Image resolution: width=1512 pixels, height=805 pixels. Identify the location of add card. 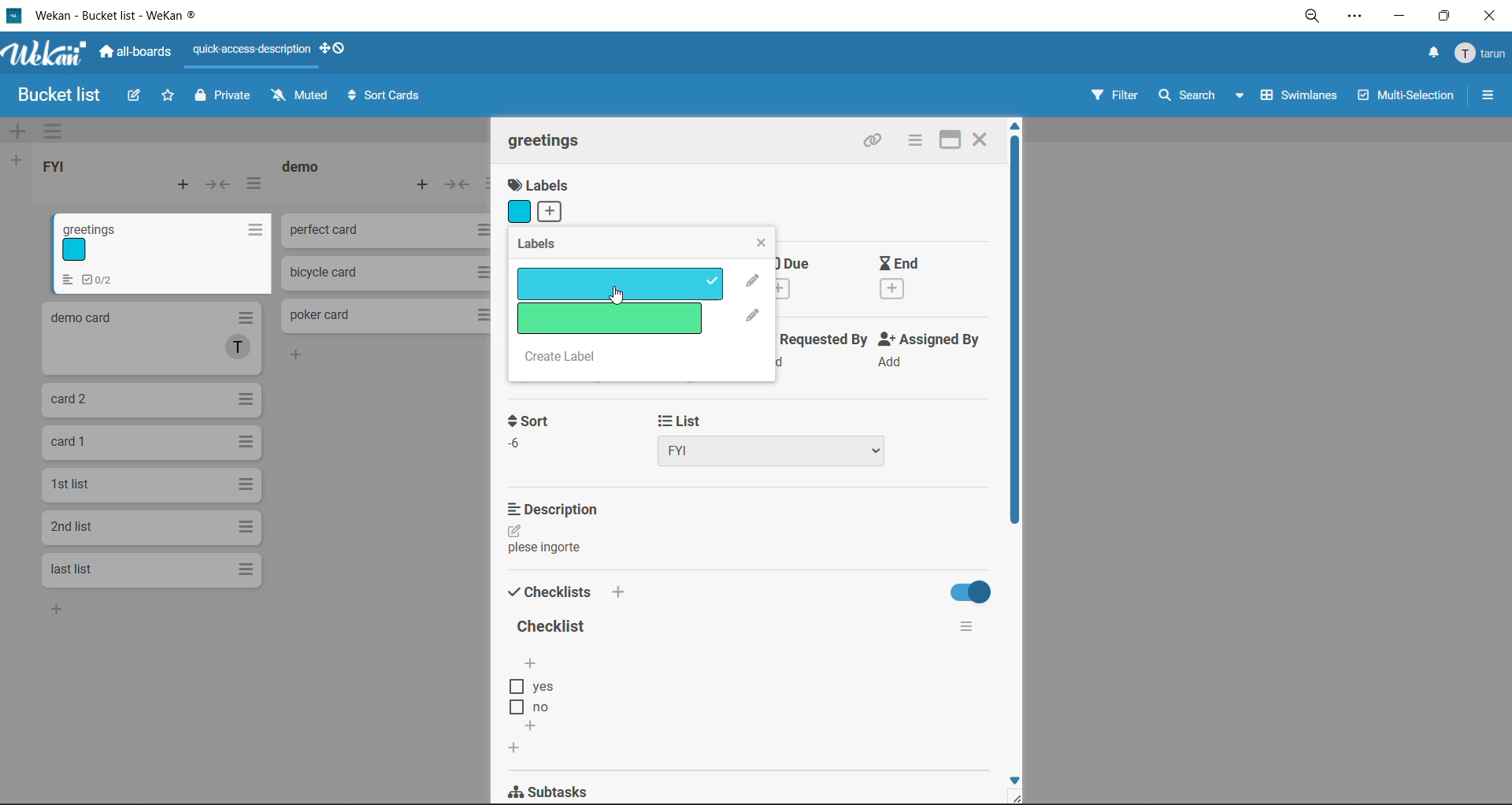
(180, 183).